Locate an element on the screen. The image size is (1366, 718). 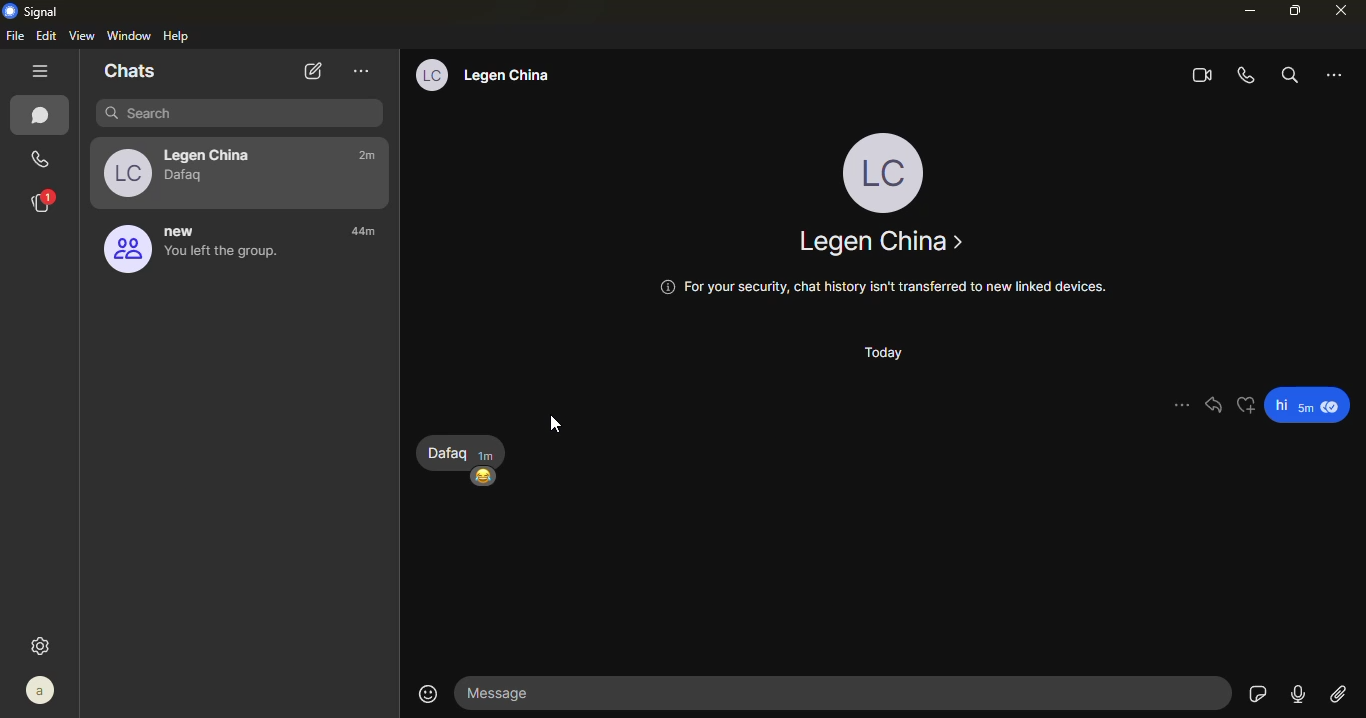
reply is located at coordinates (1214, 405).